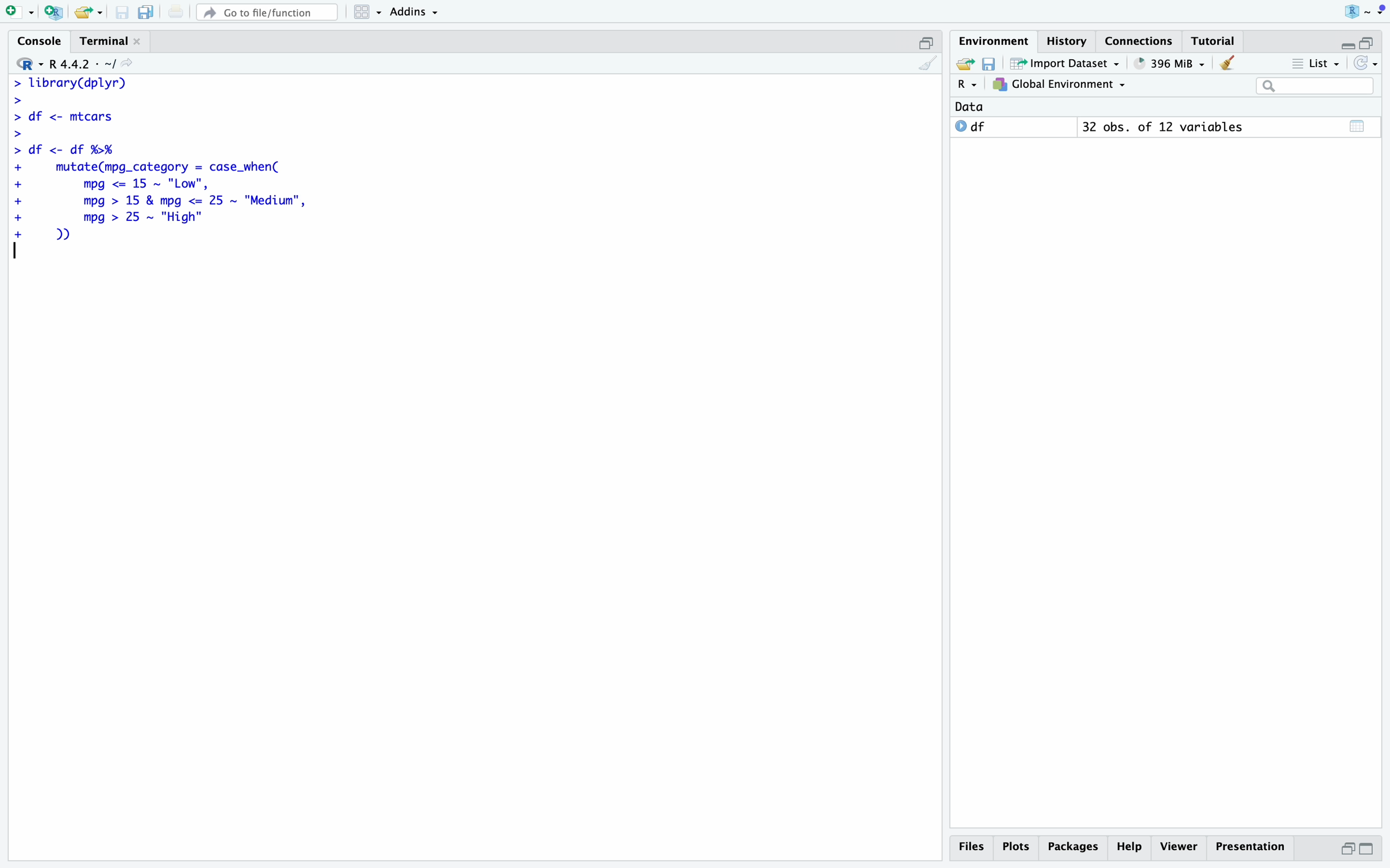 The width and height of the screenshot is (1390, 868). I want to click on add file as, so click(22, 13).